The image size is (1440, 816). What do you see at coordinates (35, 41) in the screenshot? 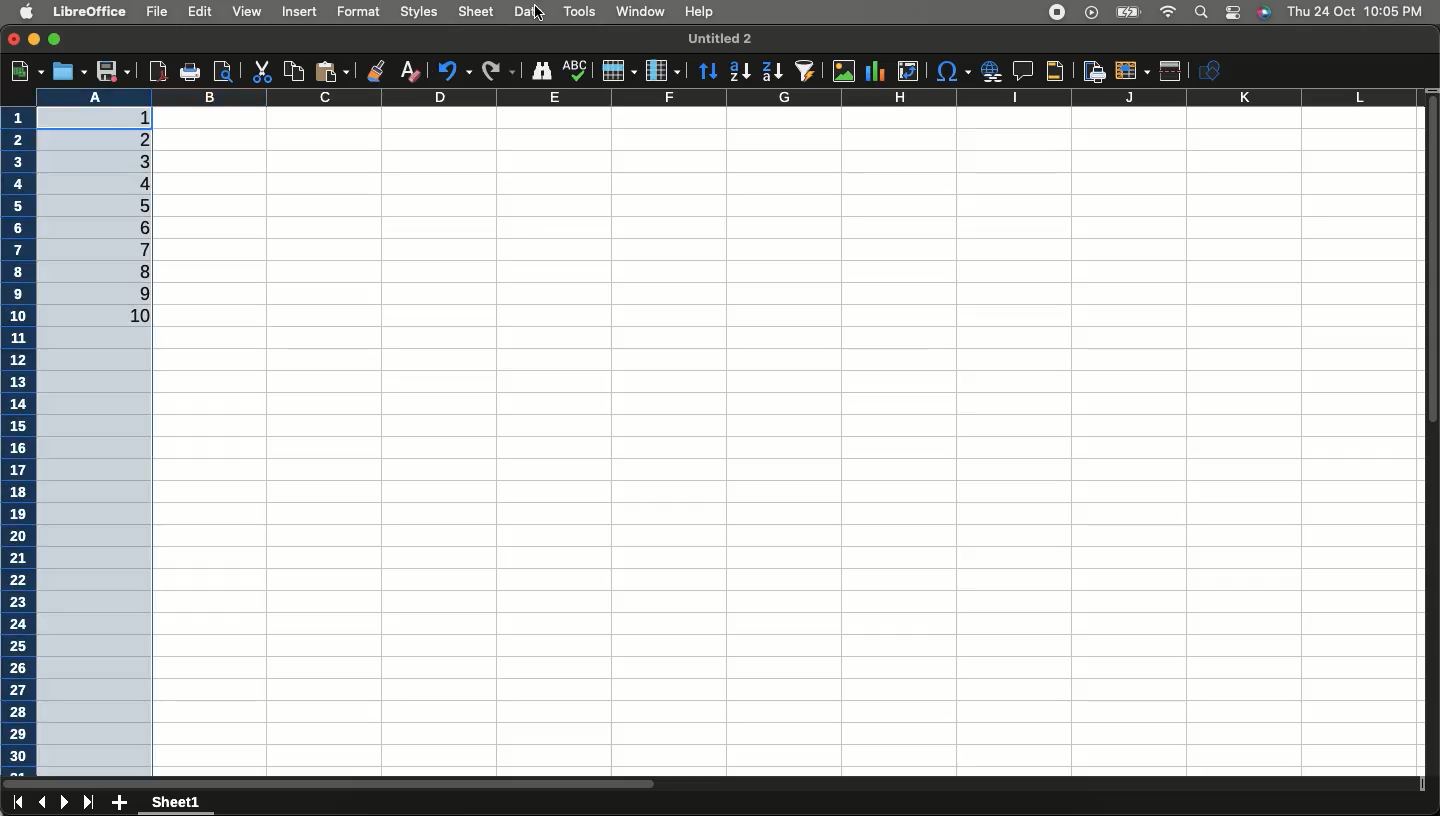
I see `Minimize` at bounding box center [35, 41].